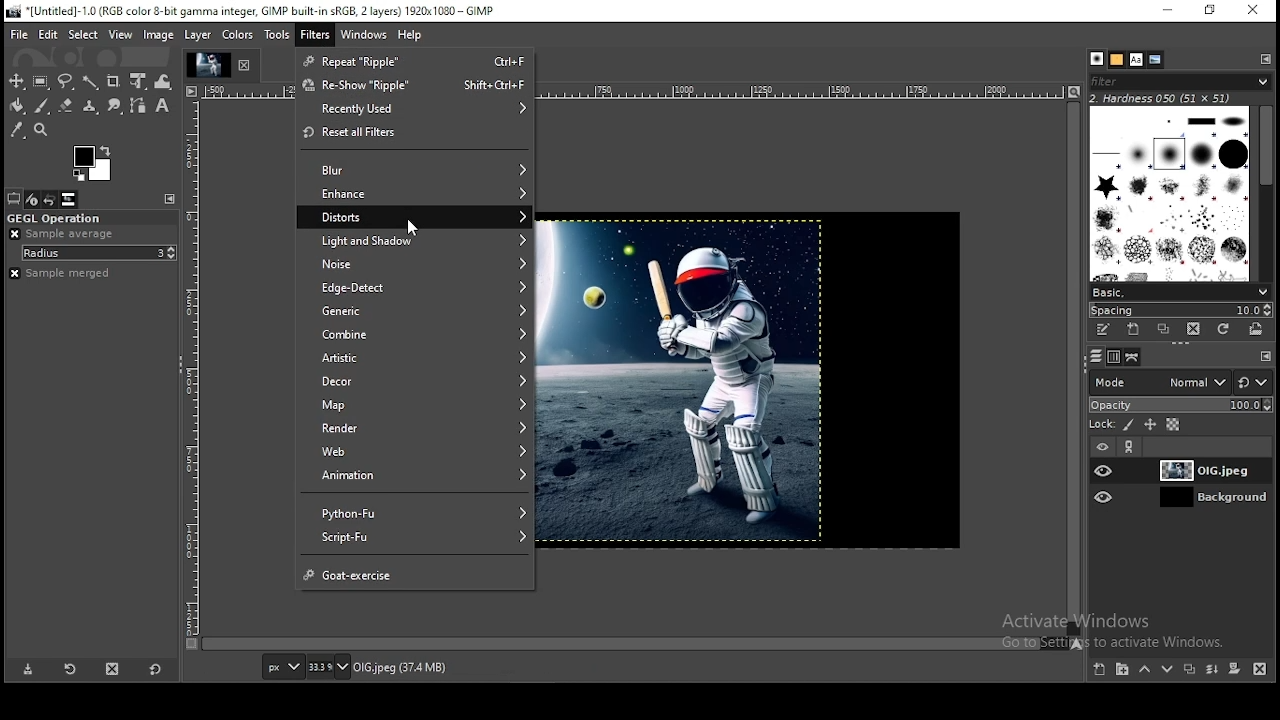  Describe the element at coordinates (83, 34) in the screenshot. I see `elect` at that location.